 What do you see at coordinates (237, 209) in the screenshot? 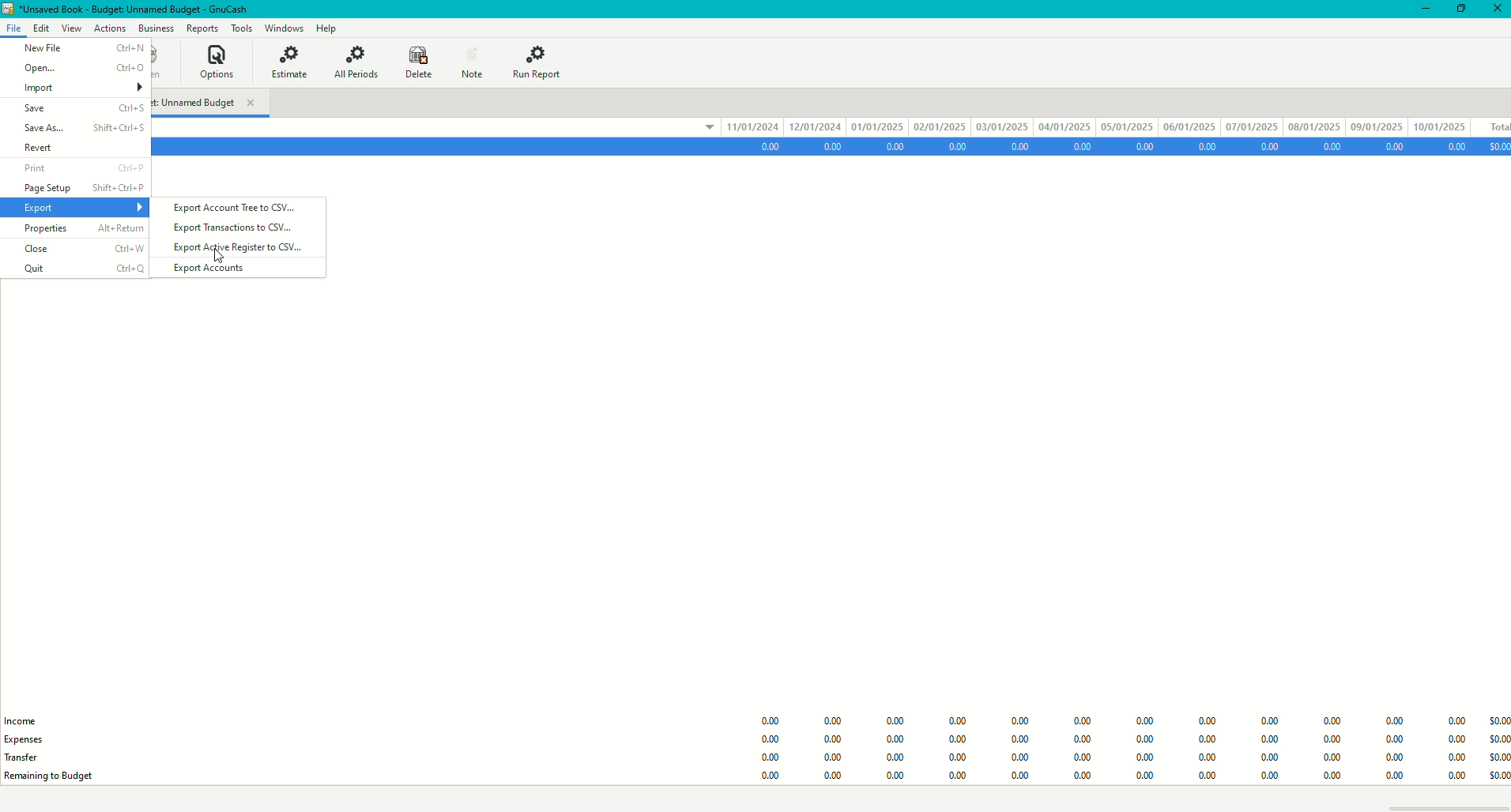
I see `Export Account Tree to CSV` at bounding box center [237, 209].